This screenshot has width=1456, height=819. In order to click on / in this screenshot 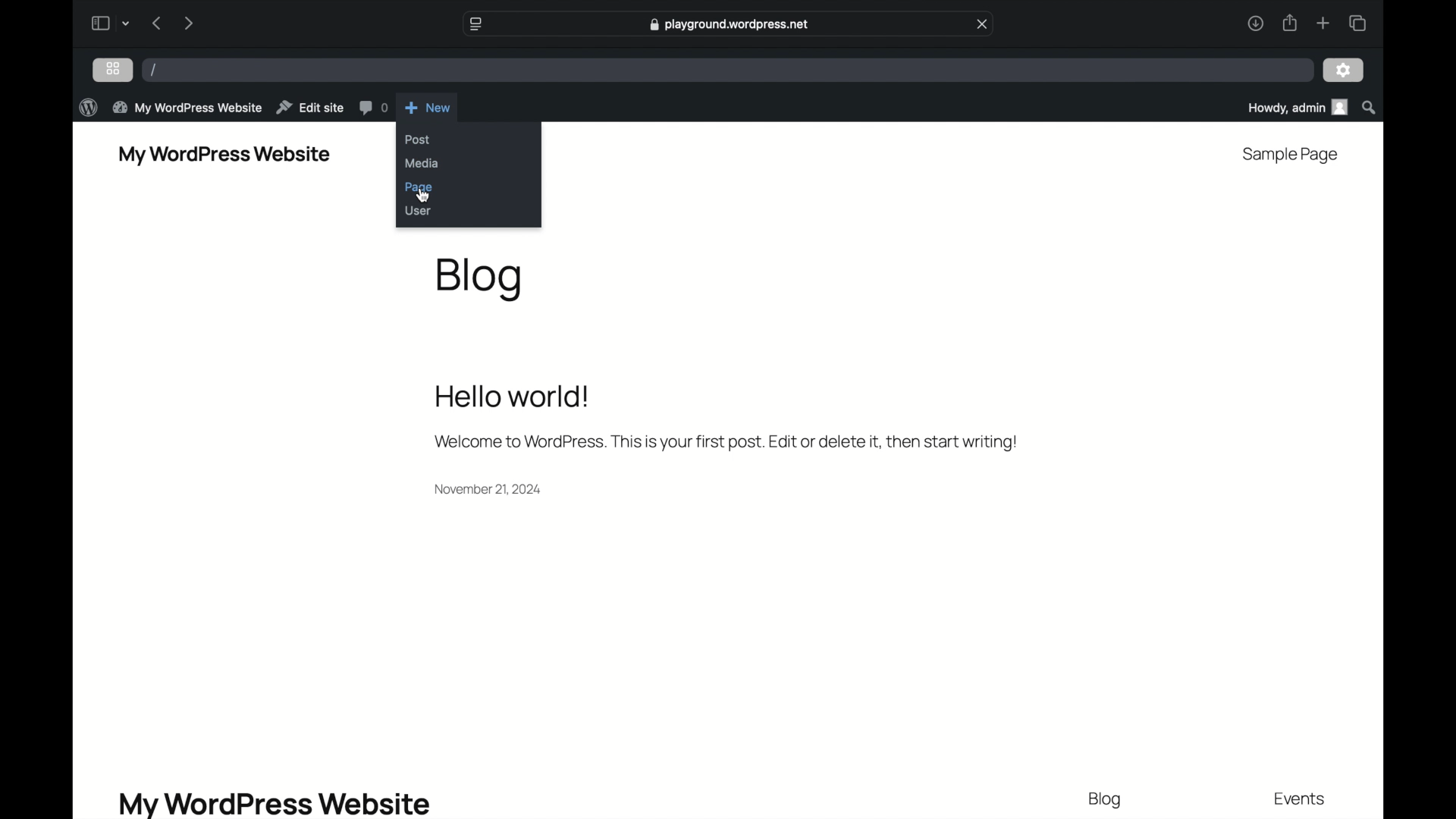, I will do `click(153, 69)`.